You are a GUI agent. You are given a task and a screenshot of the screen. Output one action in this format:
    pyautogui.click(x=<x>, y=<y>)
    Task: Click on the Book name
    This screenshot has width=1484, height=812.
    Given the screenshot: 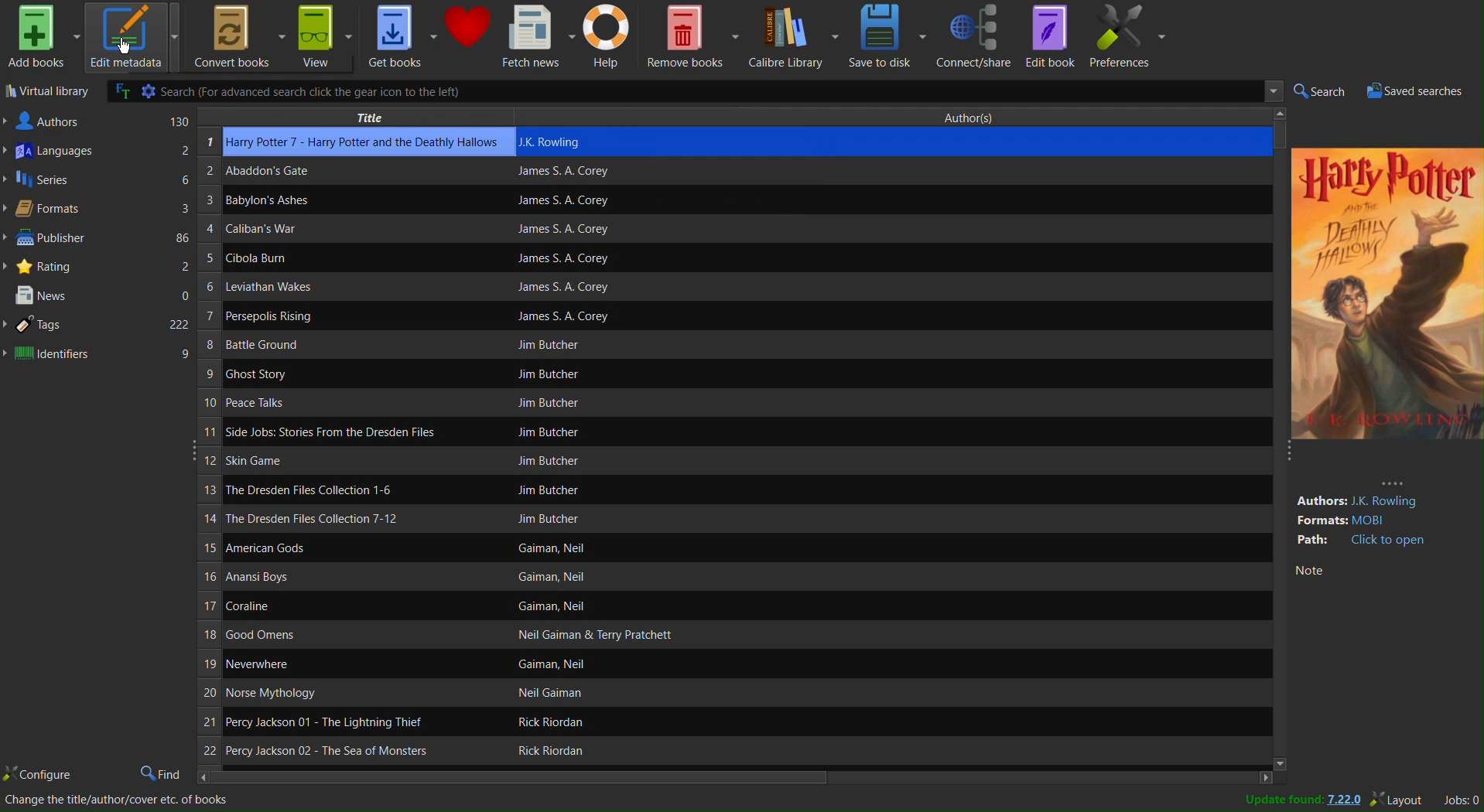 What is the action you would take?
    pyautogui.click(x=292, y=373)
    